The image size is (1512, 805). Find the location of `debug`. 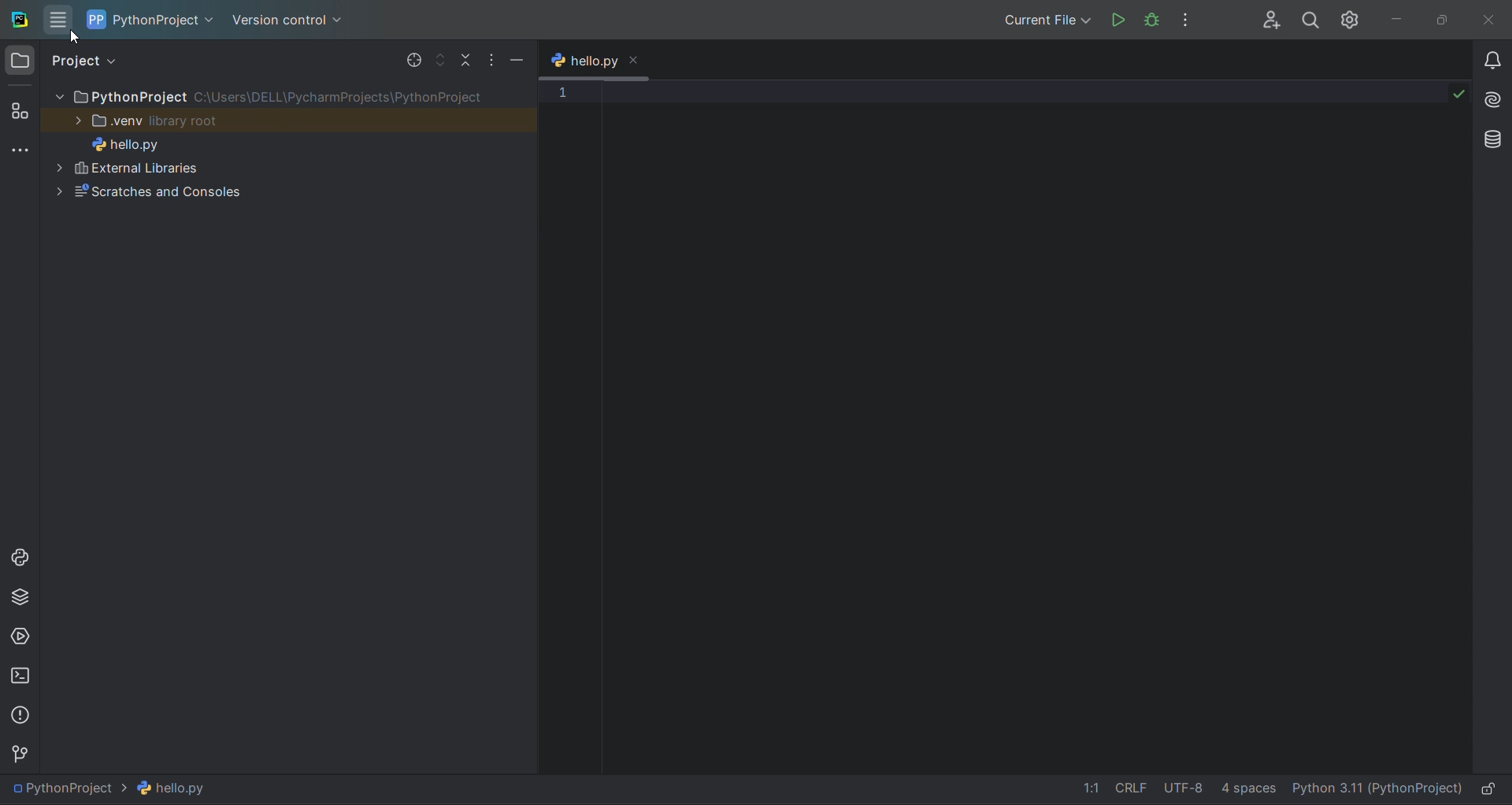

debug is located at coordinates (1153, 21).